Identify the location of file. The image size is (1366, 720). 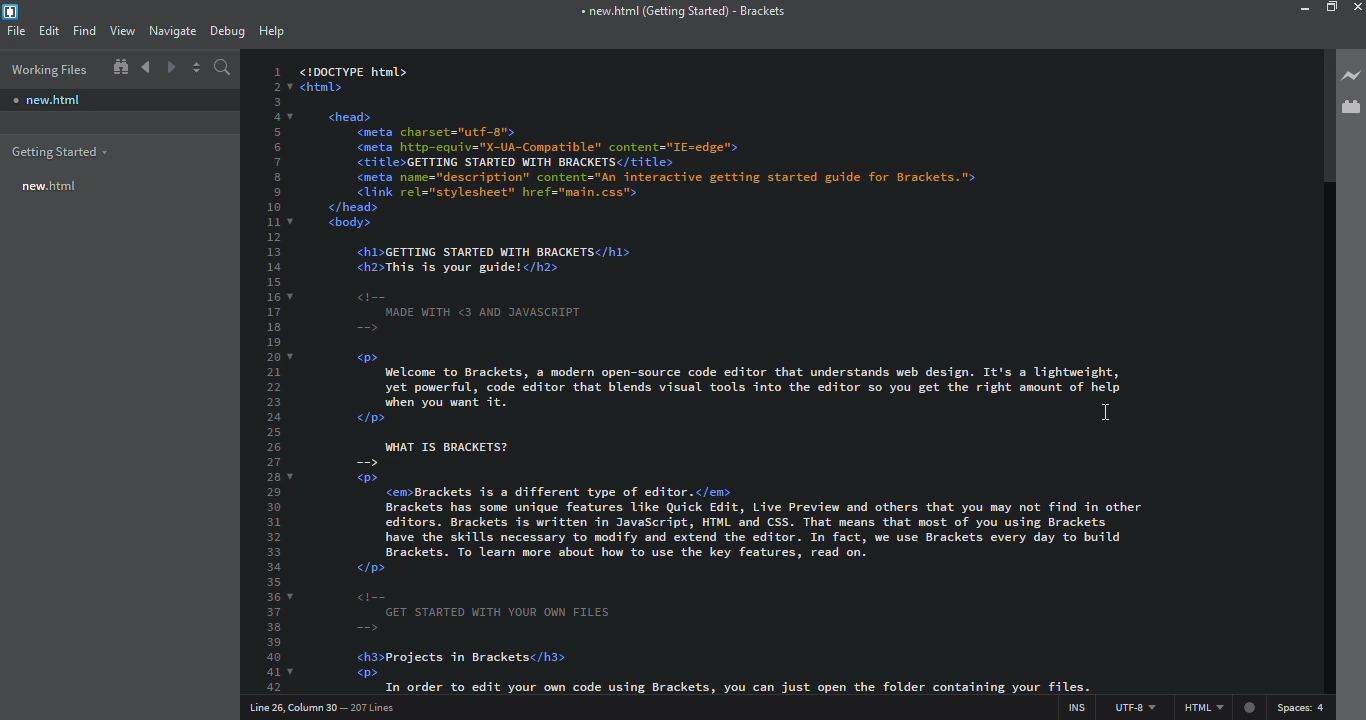
(16, 31).